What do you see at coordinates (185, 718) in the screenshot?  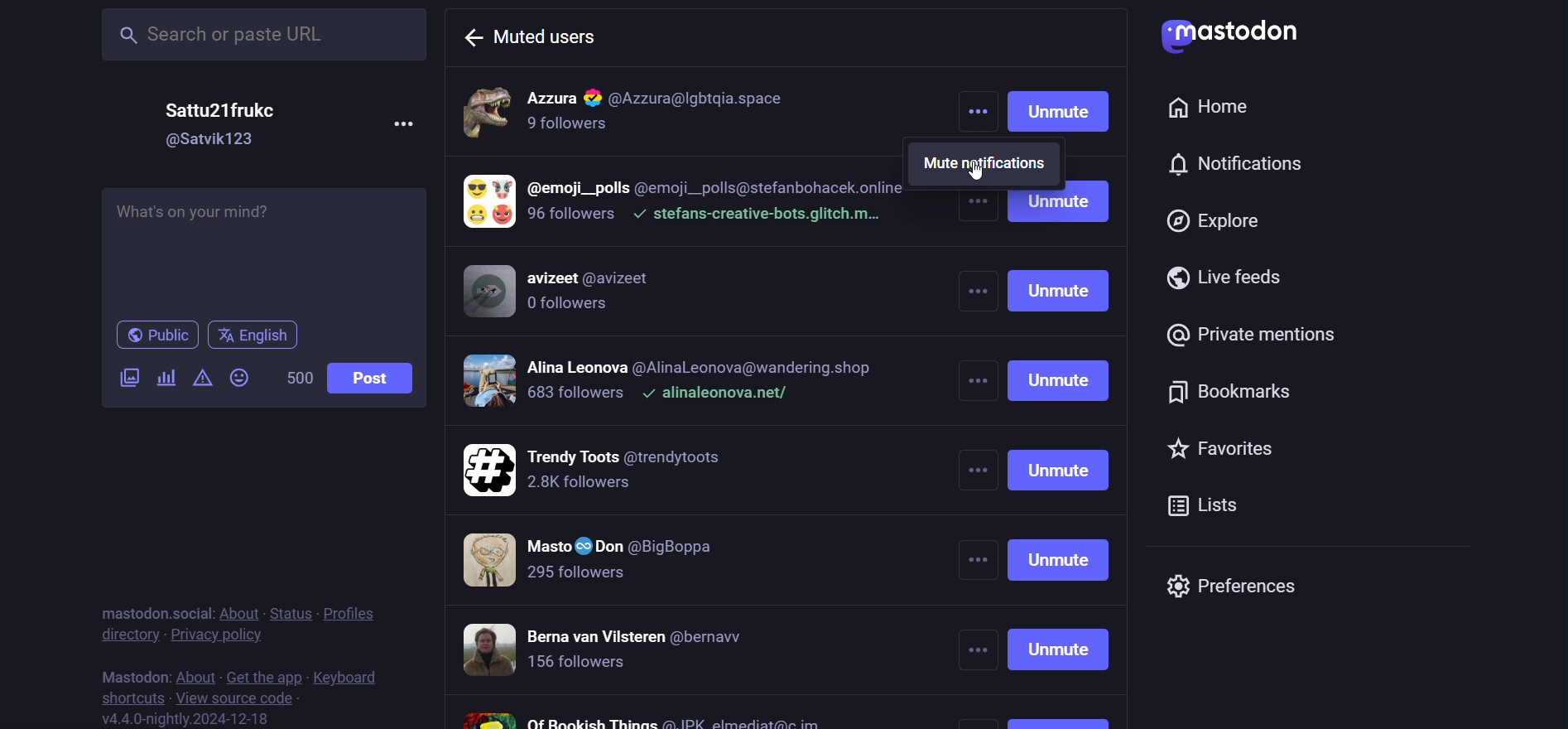 I see `version` at bounding box center [185, 718].